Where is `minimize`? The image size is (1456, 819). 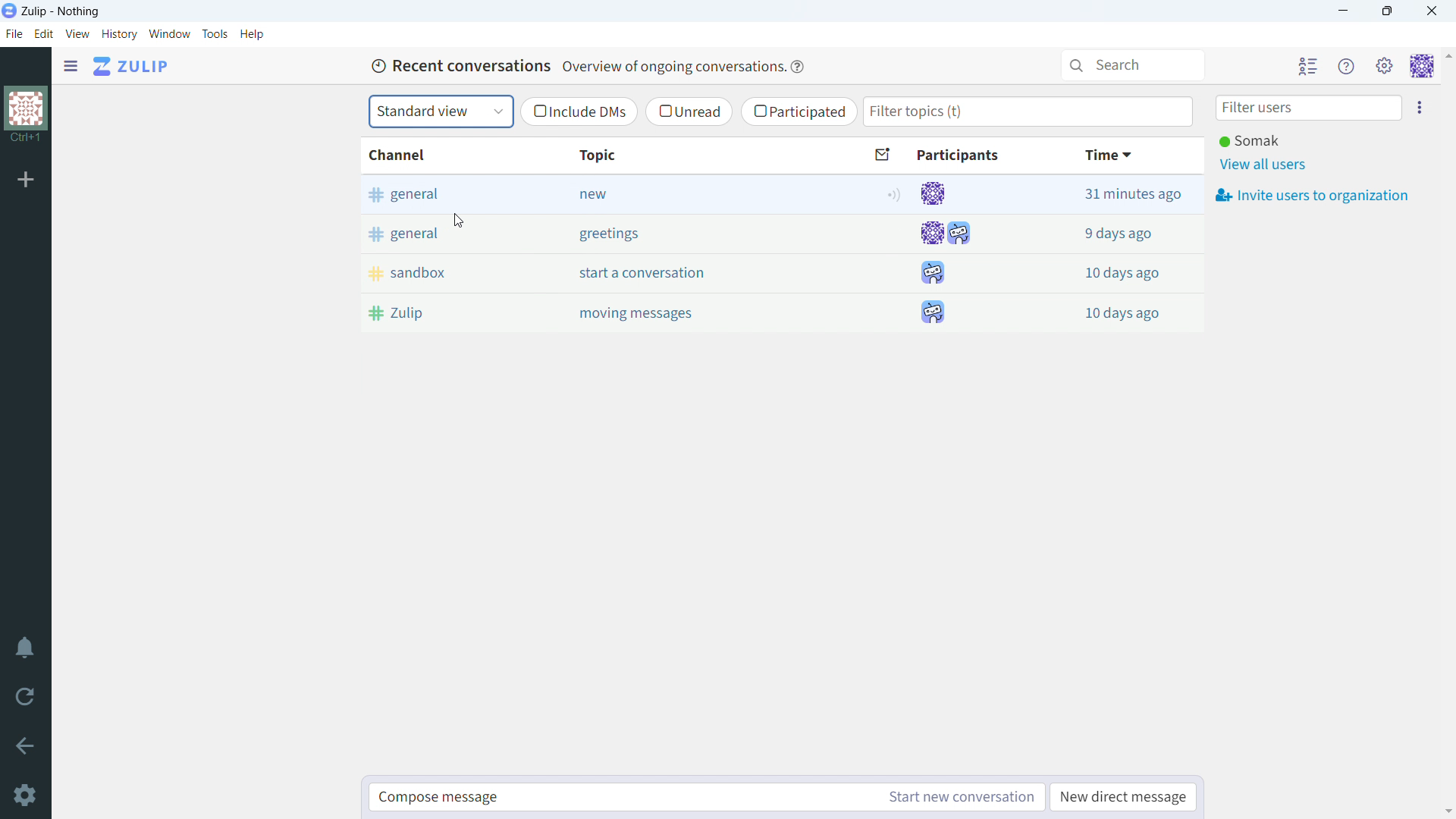 minimize is located at coordinates (1344, 11).